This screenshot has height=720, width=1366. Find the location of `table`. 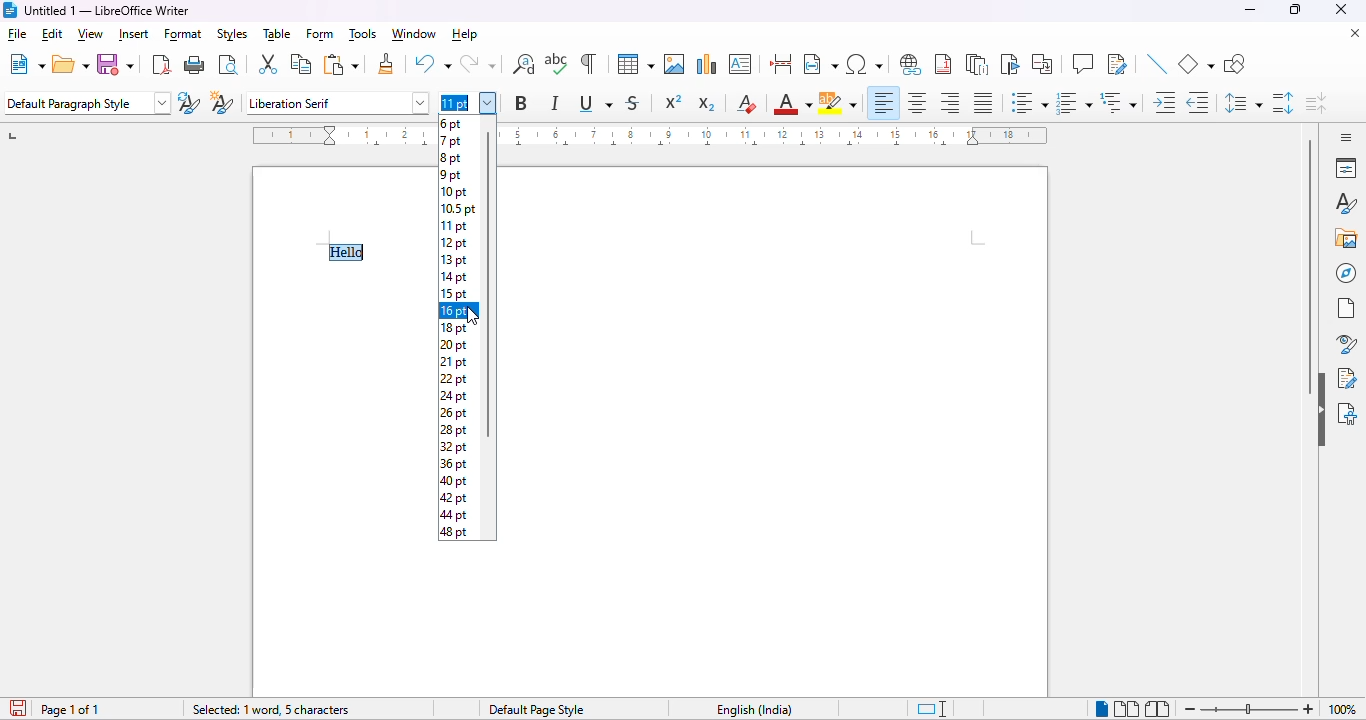

table is located at coordinates (277, 35).